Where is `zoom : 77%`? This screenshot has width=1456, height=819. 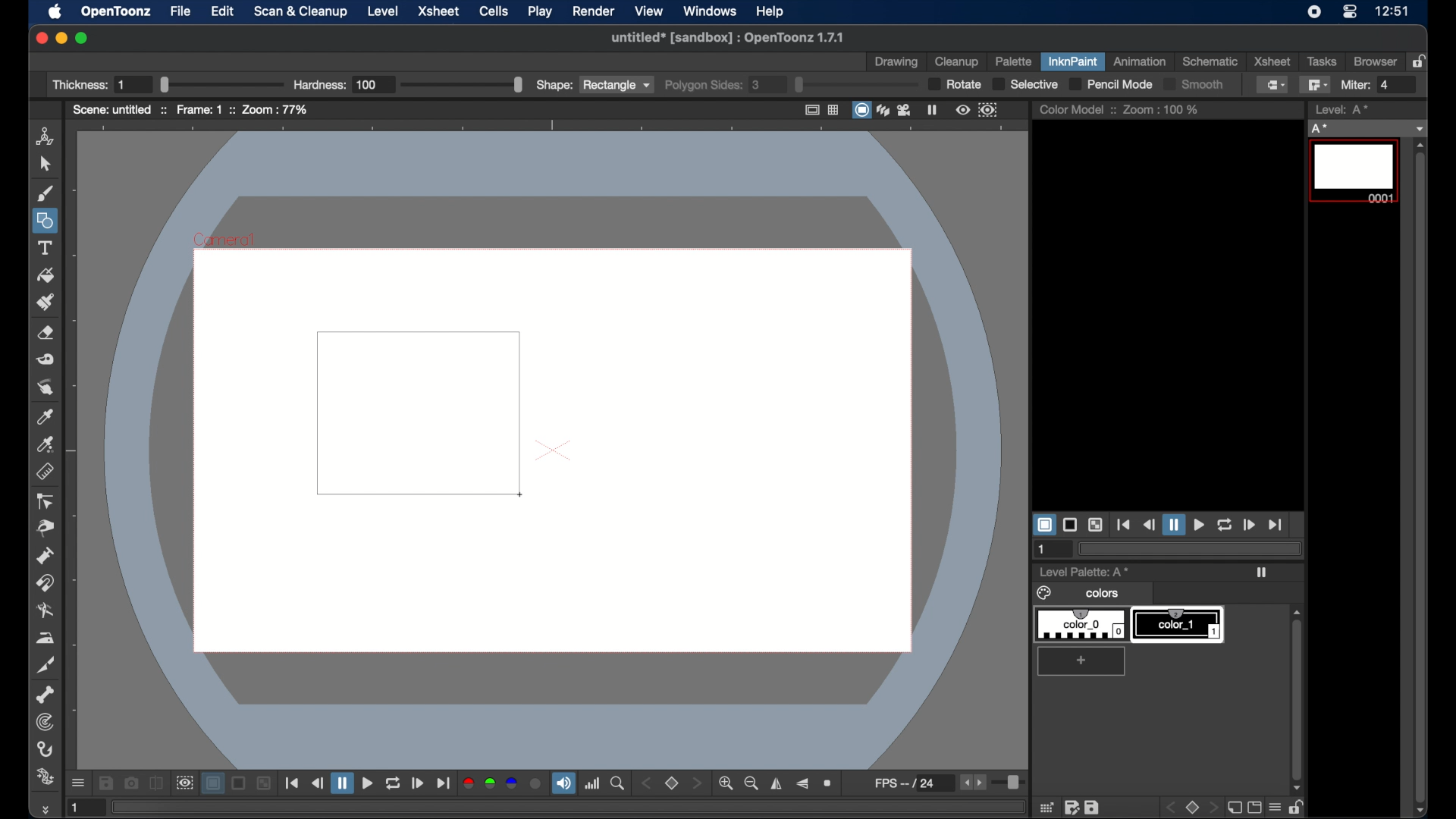
zoom : 77% is located at coordinates (276, 109).